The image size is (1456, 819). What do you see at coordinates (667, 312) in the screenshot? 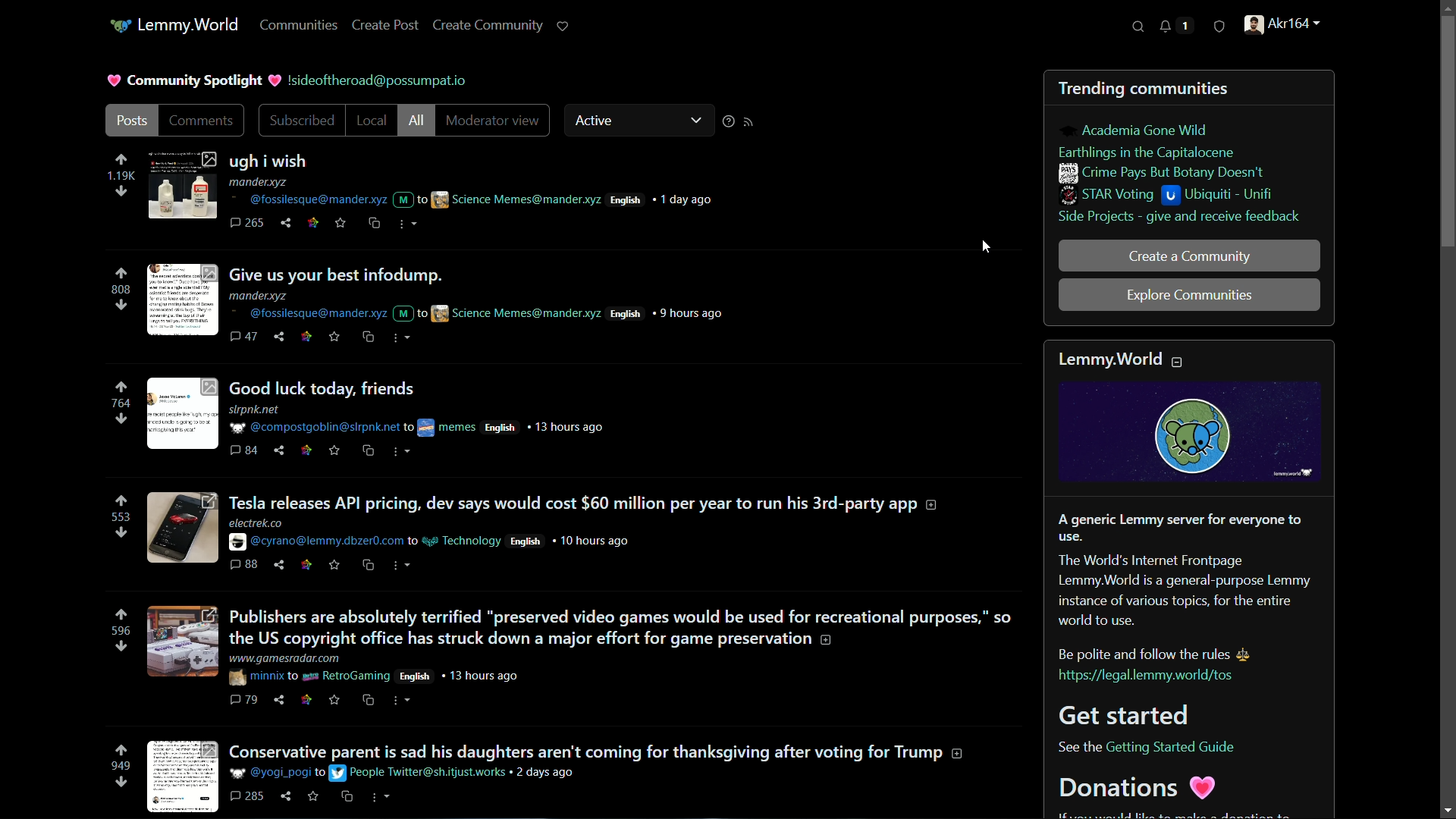
I see `english 9 hours ago` at bounding box center [667, 312].